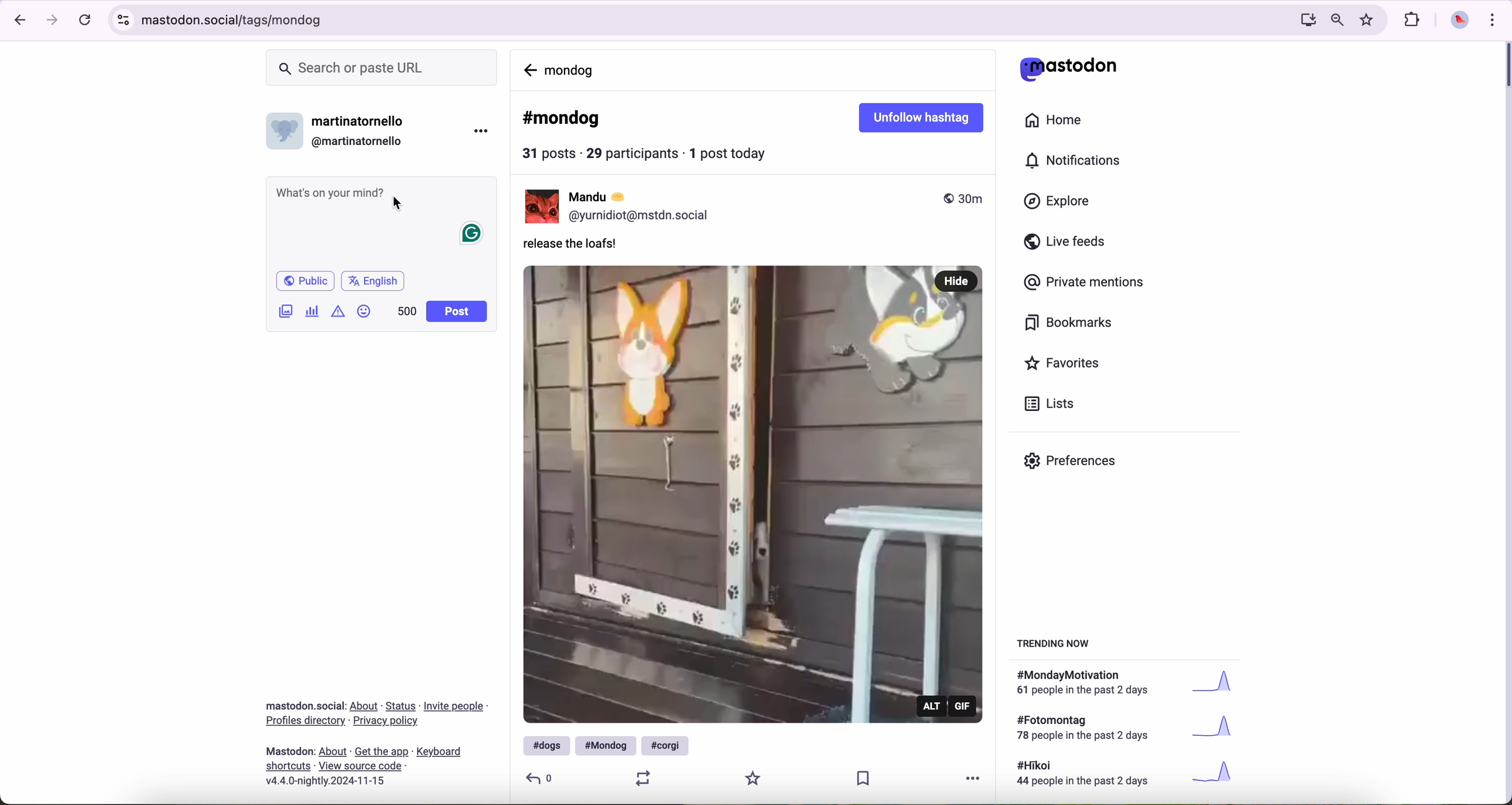 Image resolution: width=1512 pixels, height=805 pixels. Describe the element at coordinates (85, 21) in the screenshot. I see `refresh the page` at that location.